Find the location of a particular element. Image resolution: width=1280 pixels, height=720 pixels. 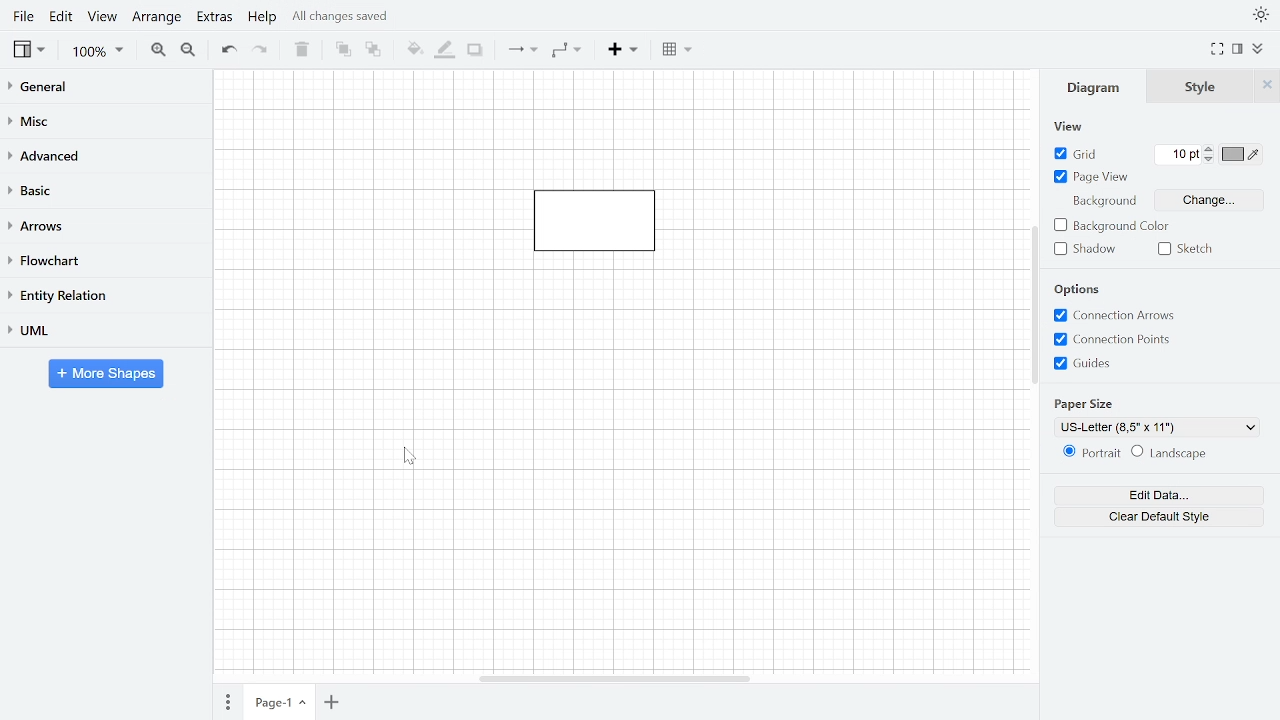

Edit data is located at coordinates (1167, 494).